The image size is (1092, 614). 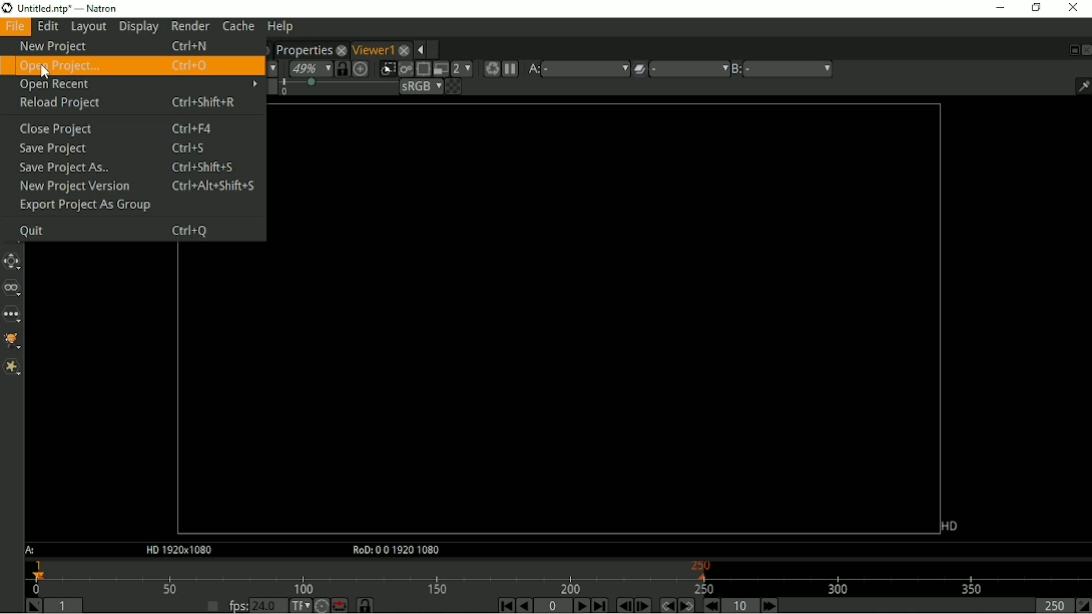 What do you see at coordinates (177, 550) in the screenshot?
I see `HD` at bounding box center [177, 550].